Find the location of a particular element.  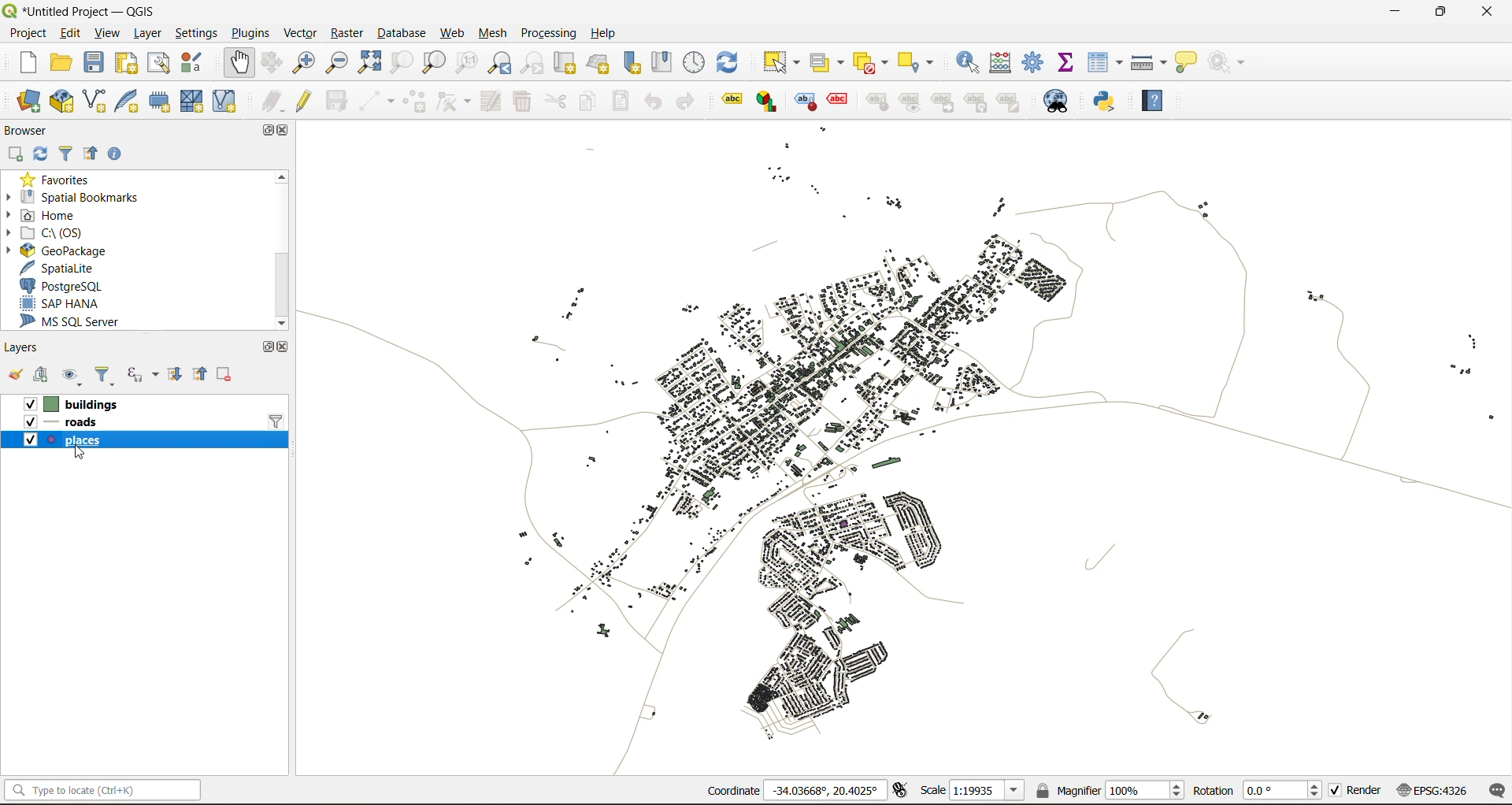

collapse all is located at coordinates (204, 376).